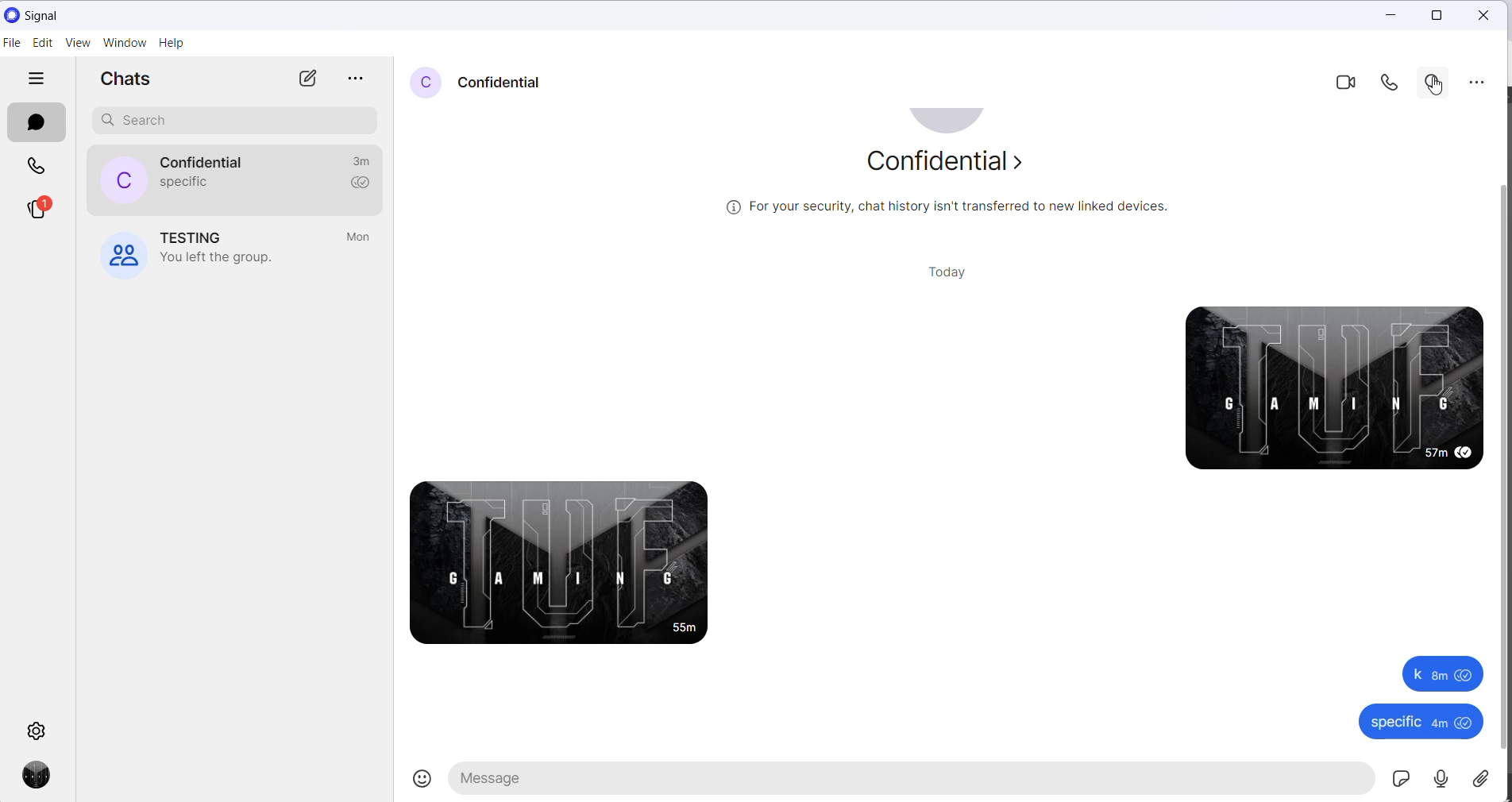 This screenshot has width=1512, height=802. I want to click on window, so click(128, 44).